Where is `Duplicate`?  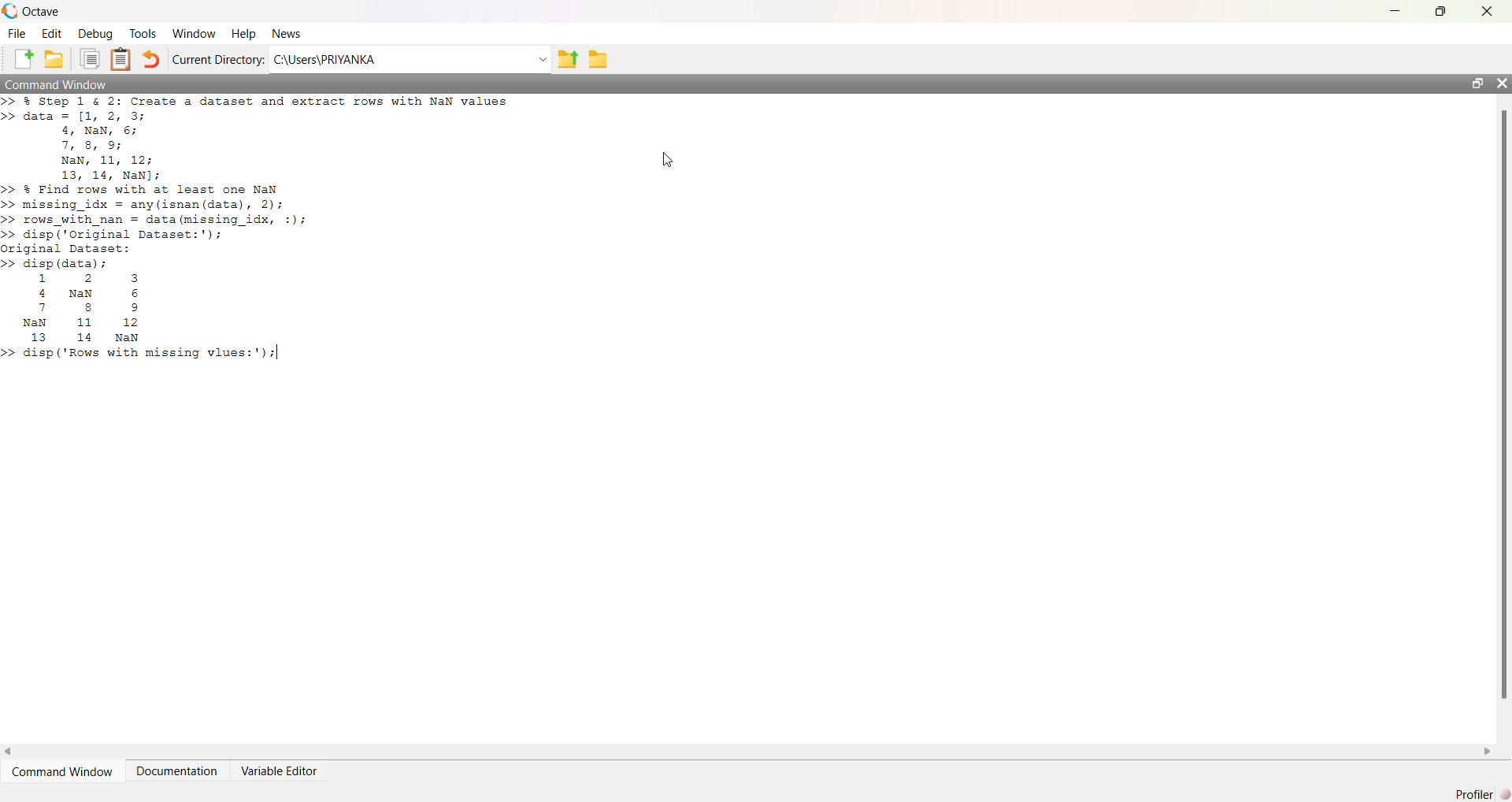
Duplicate is located at coordinates (90, 59).